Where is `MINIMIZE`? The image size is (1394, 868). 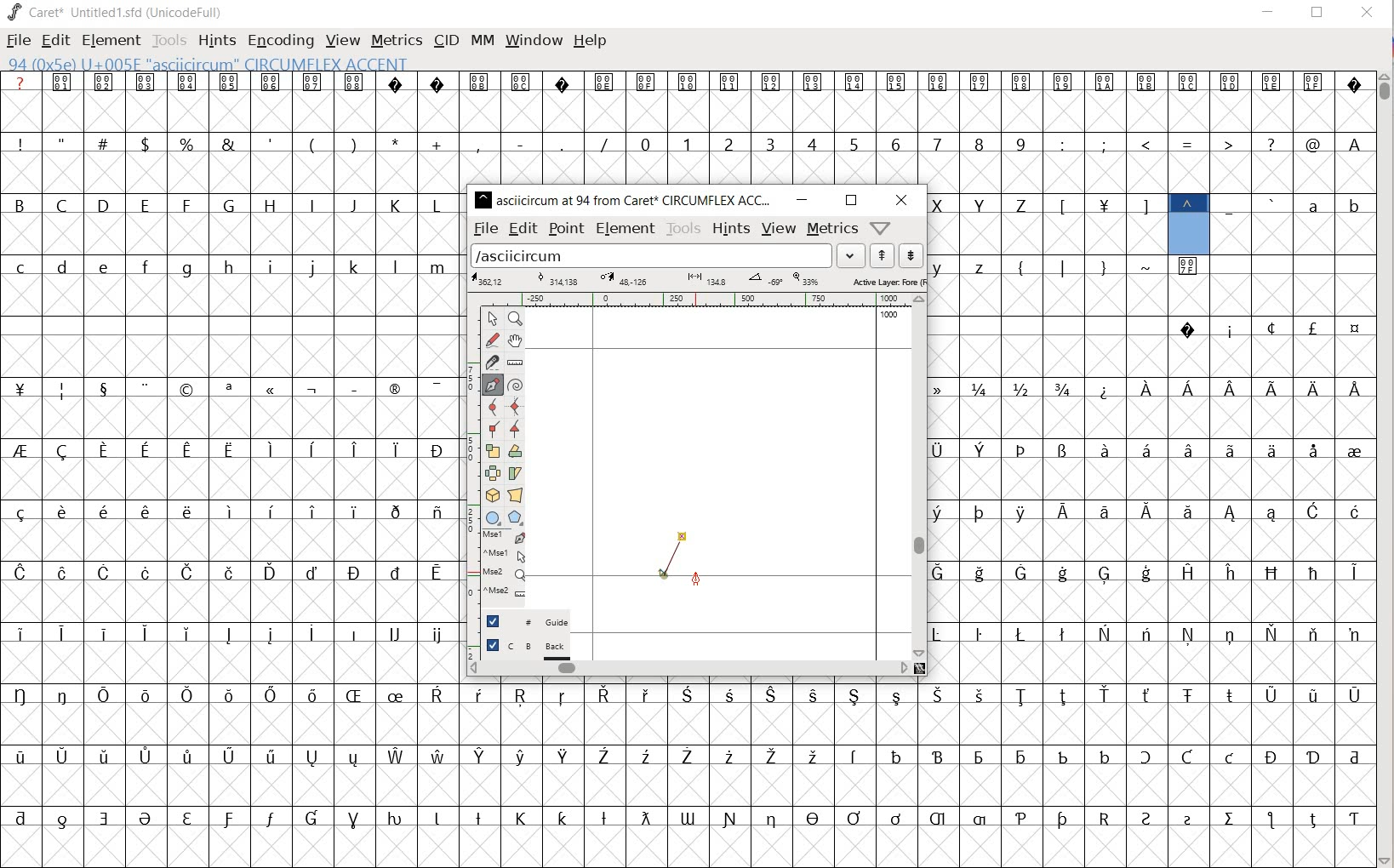 MINIMIZE is located at coordinates (1269, 11).